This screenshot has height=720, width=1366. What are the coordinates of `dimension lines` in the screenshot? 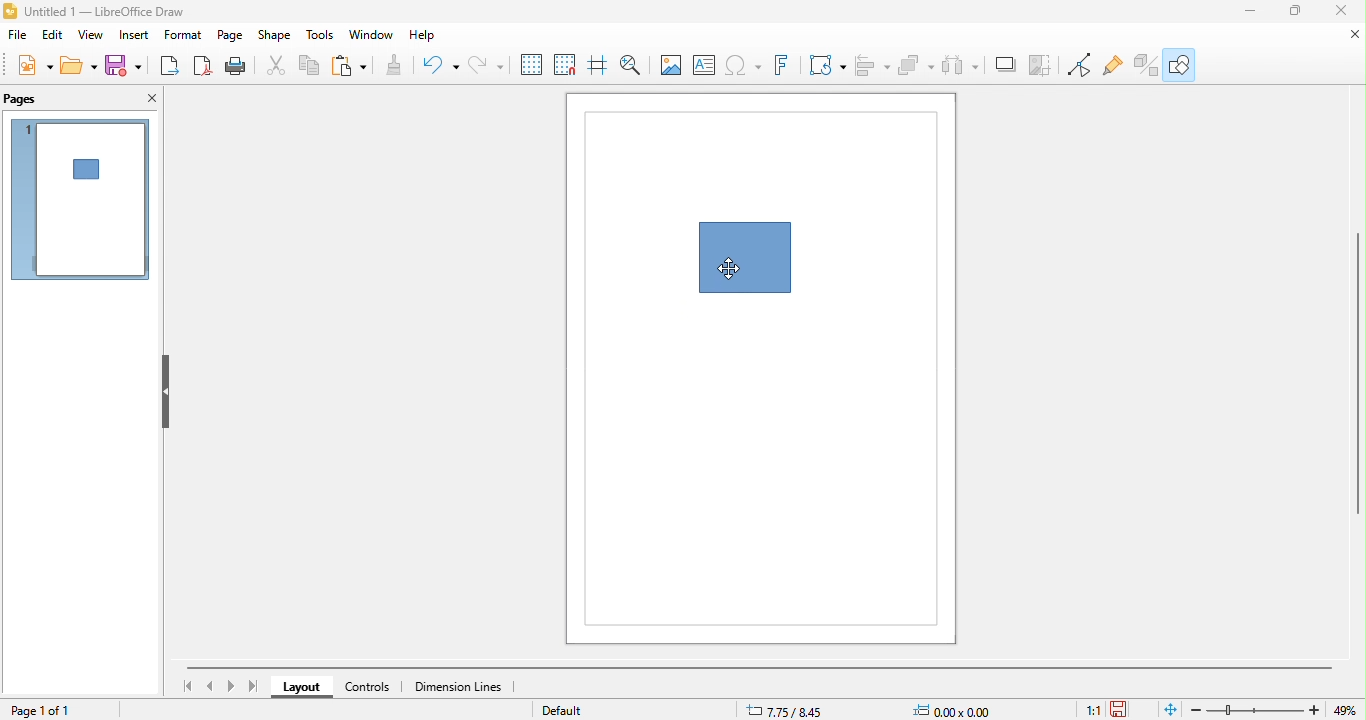 It's located at (461, 687).